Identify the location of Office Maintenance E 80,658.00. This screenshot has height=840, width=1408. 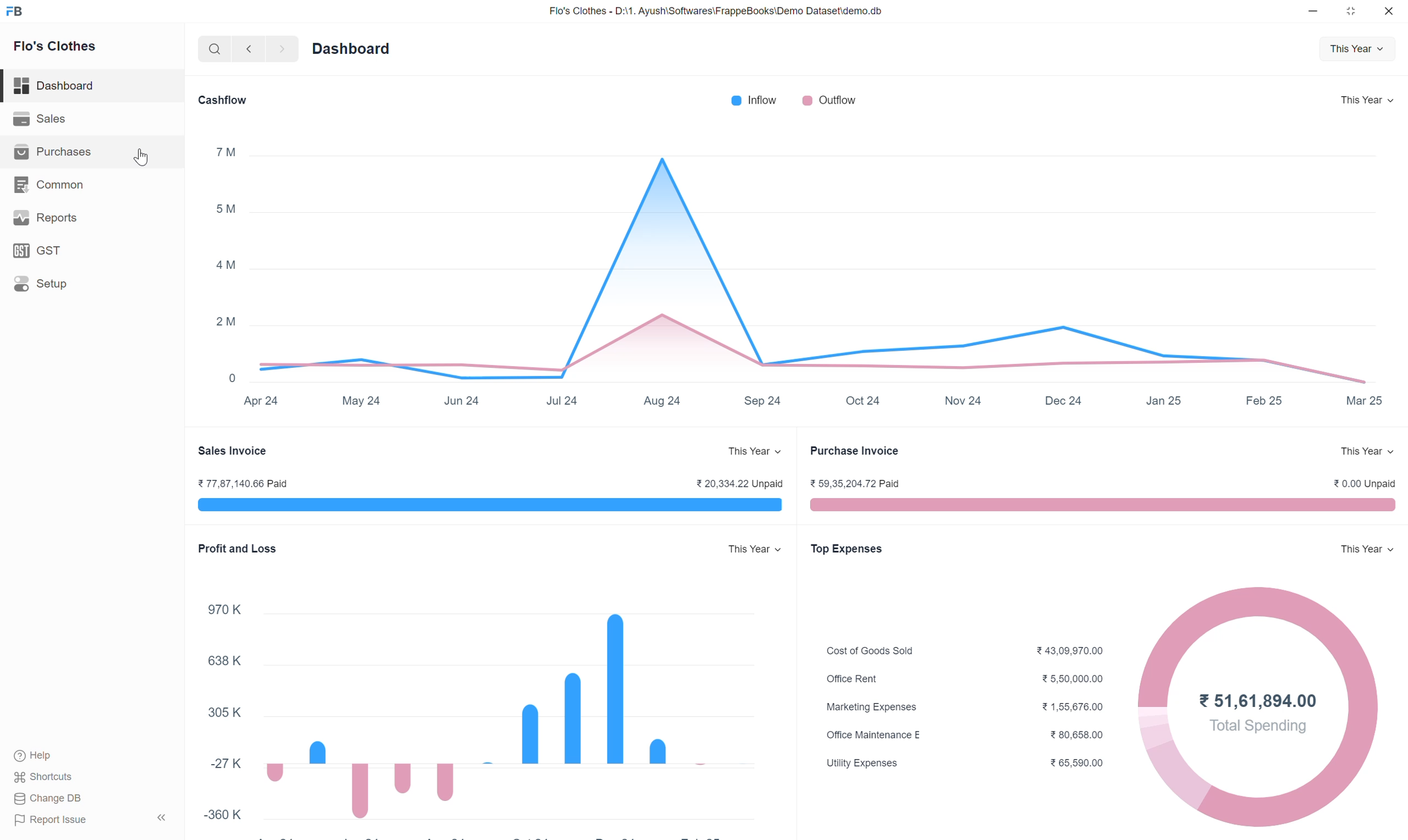
(965, 735).